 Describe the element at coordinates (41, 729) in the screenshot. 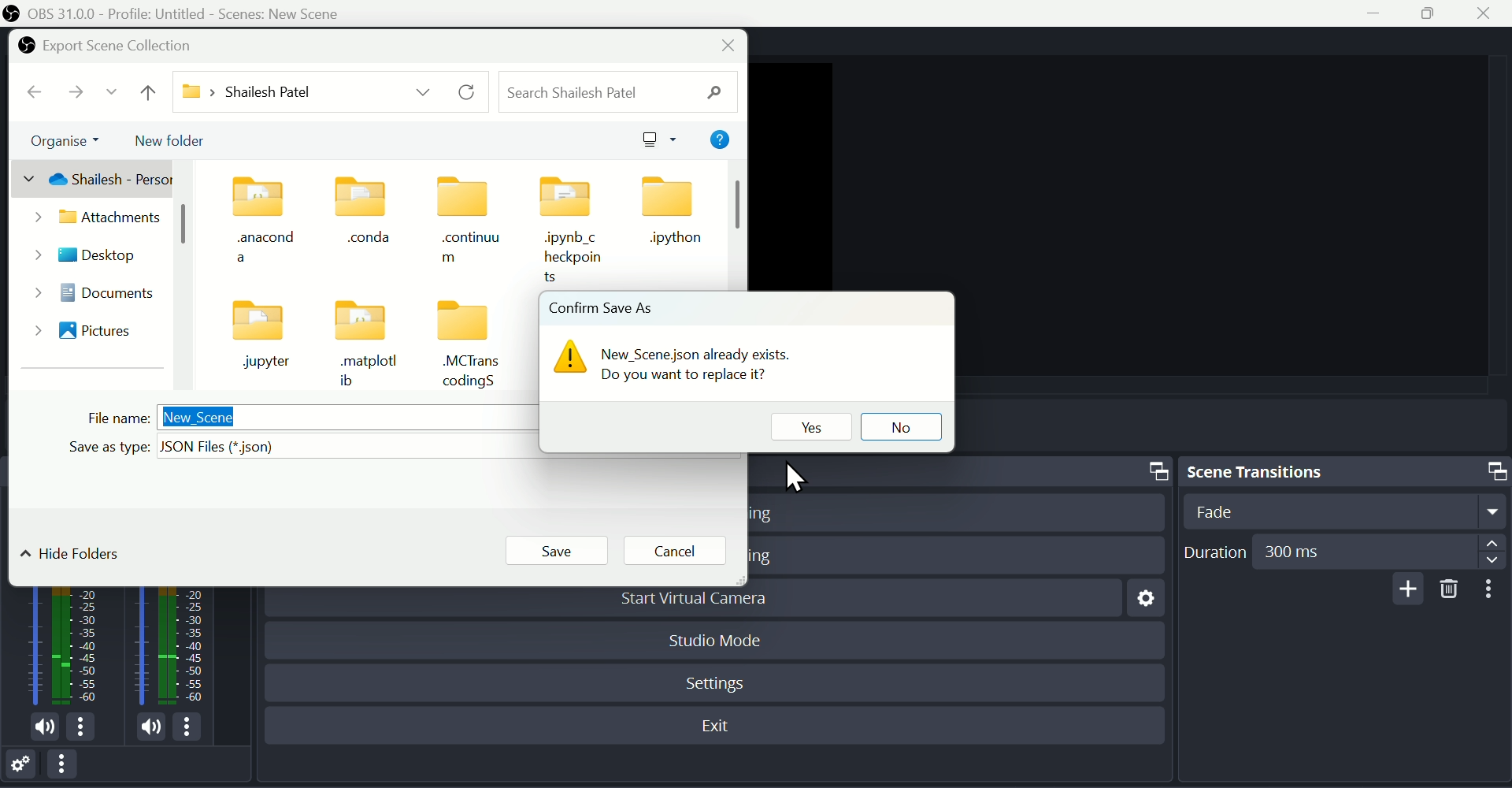

I see `volume` at that location.